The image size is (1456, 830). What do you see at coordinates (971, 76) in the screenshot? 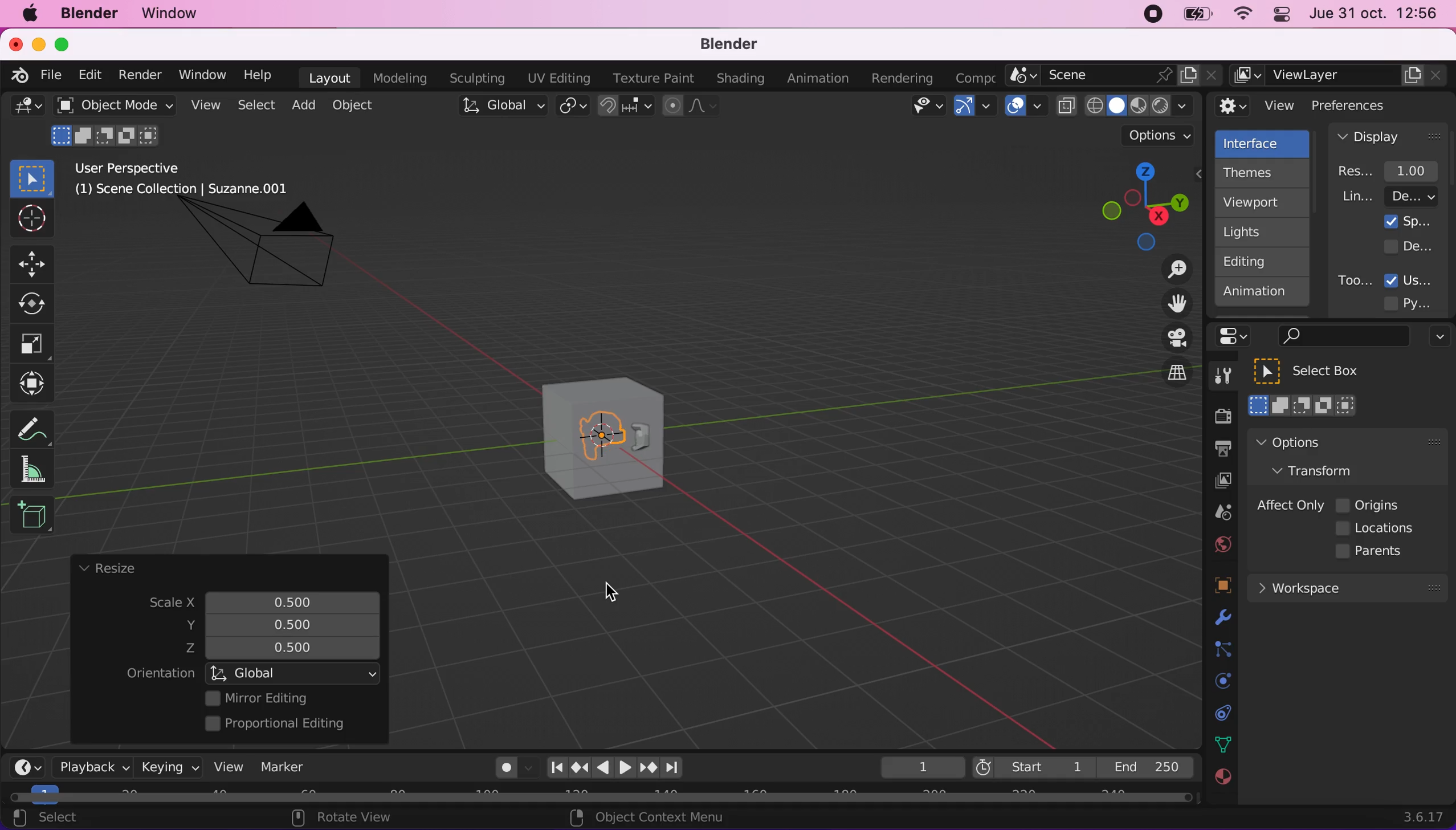
I see `active workspace` at bounding box center [971, 76].